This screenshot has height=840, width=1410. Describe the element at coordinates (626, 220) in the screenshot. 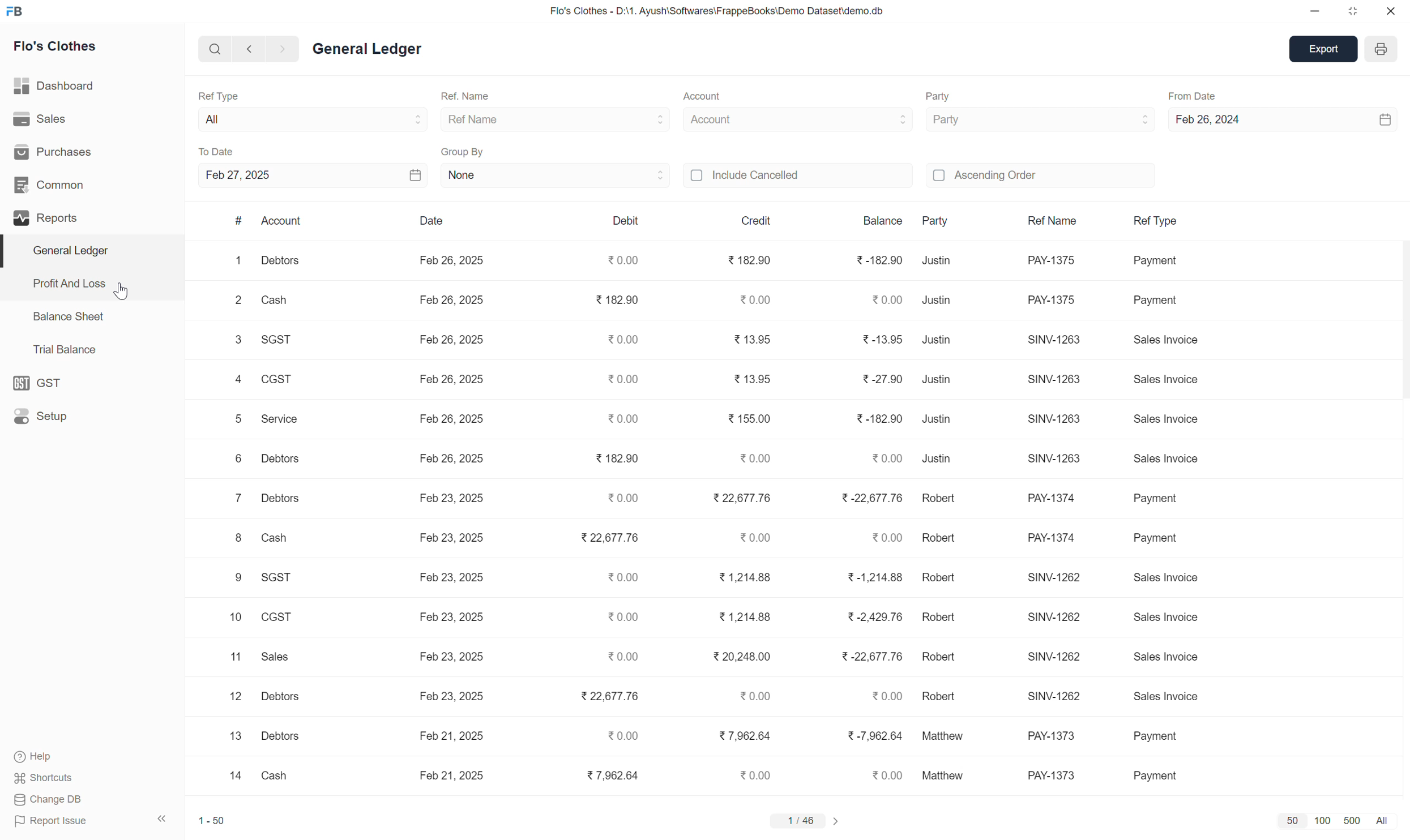

I see `Debit` at that location.